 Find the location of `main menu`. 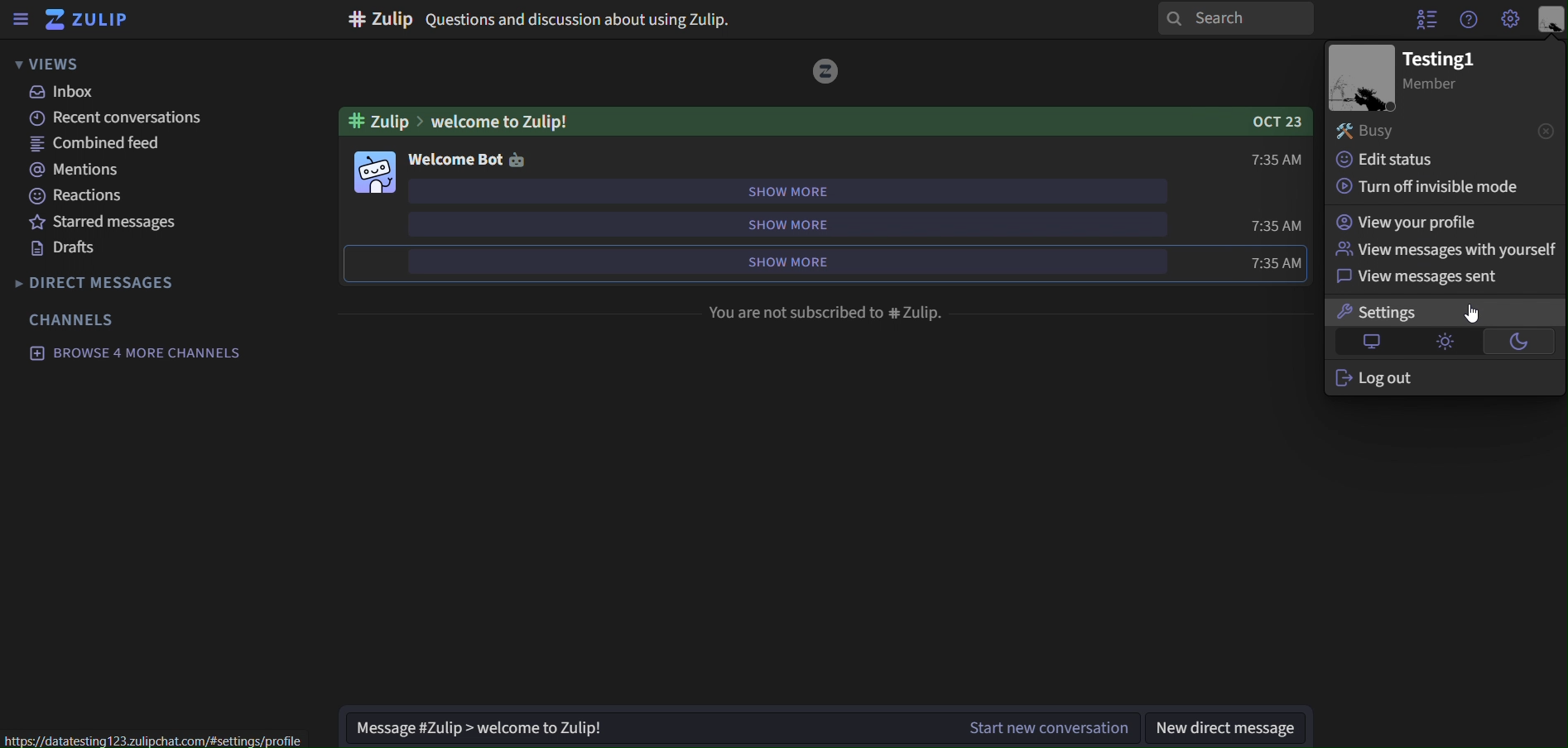

main menu is located at coordinates (1509, 19).